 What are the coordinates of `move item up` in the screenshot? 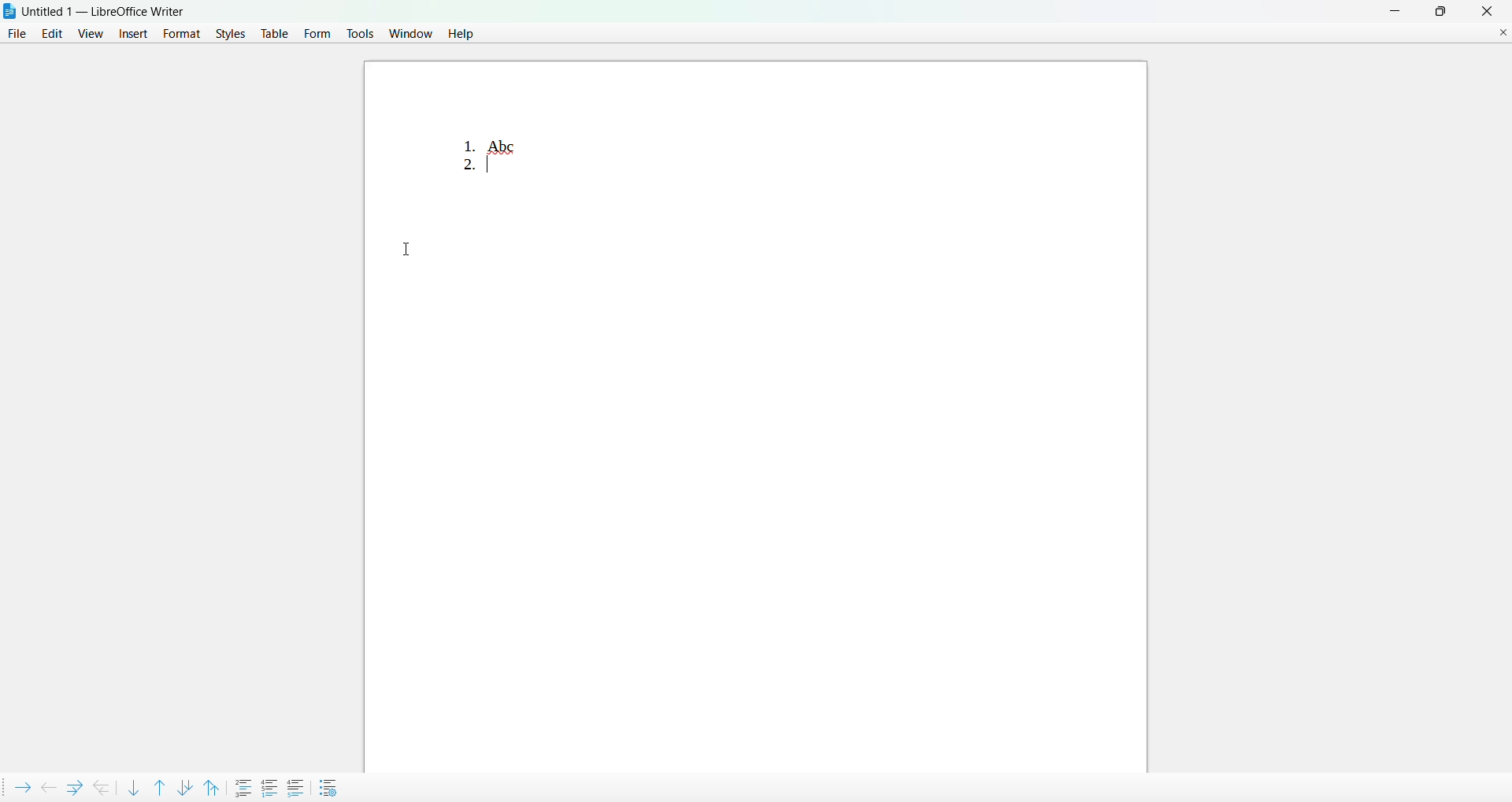 It's located at (158, 785).